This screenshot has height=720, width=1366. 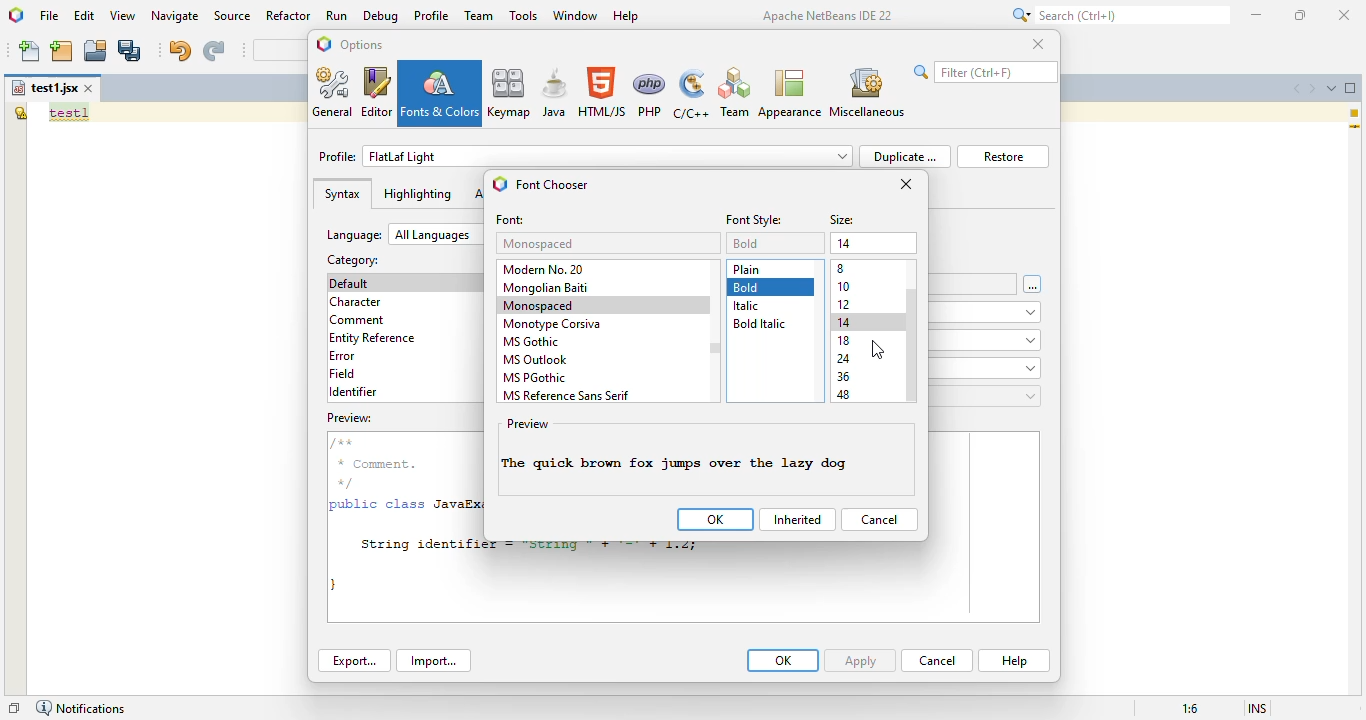 I want to click on maximize, so click(x=1301, y=15).